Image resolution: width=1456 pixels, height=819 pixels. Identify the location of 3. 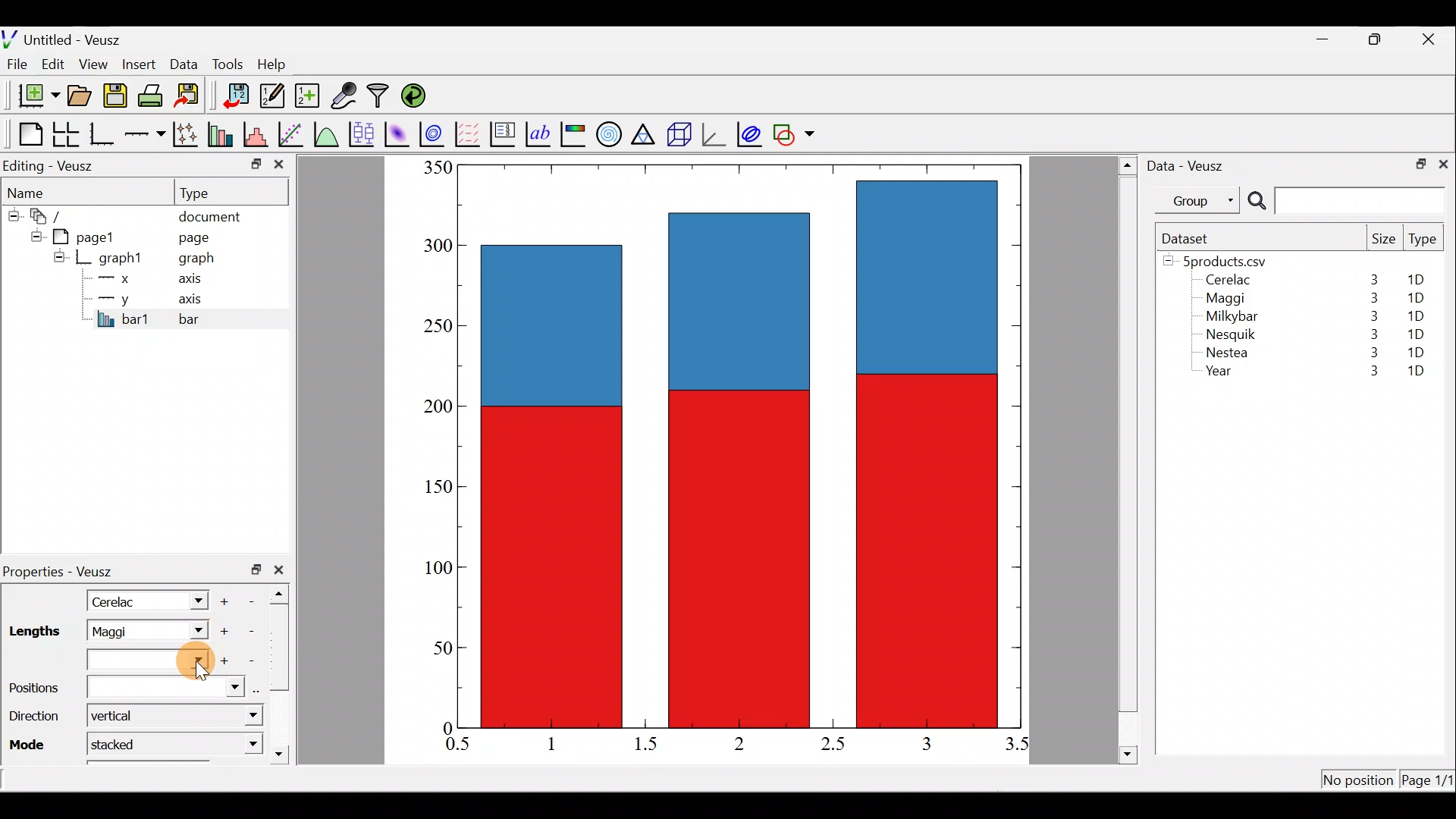
(1373, 279).